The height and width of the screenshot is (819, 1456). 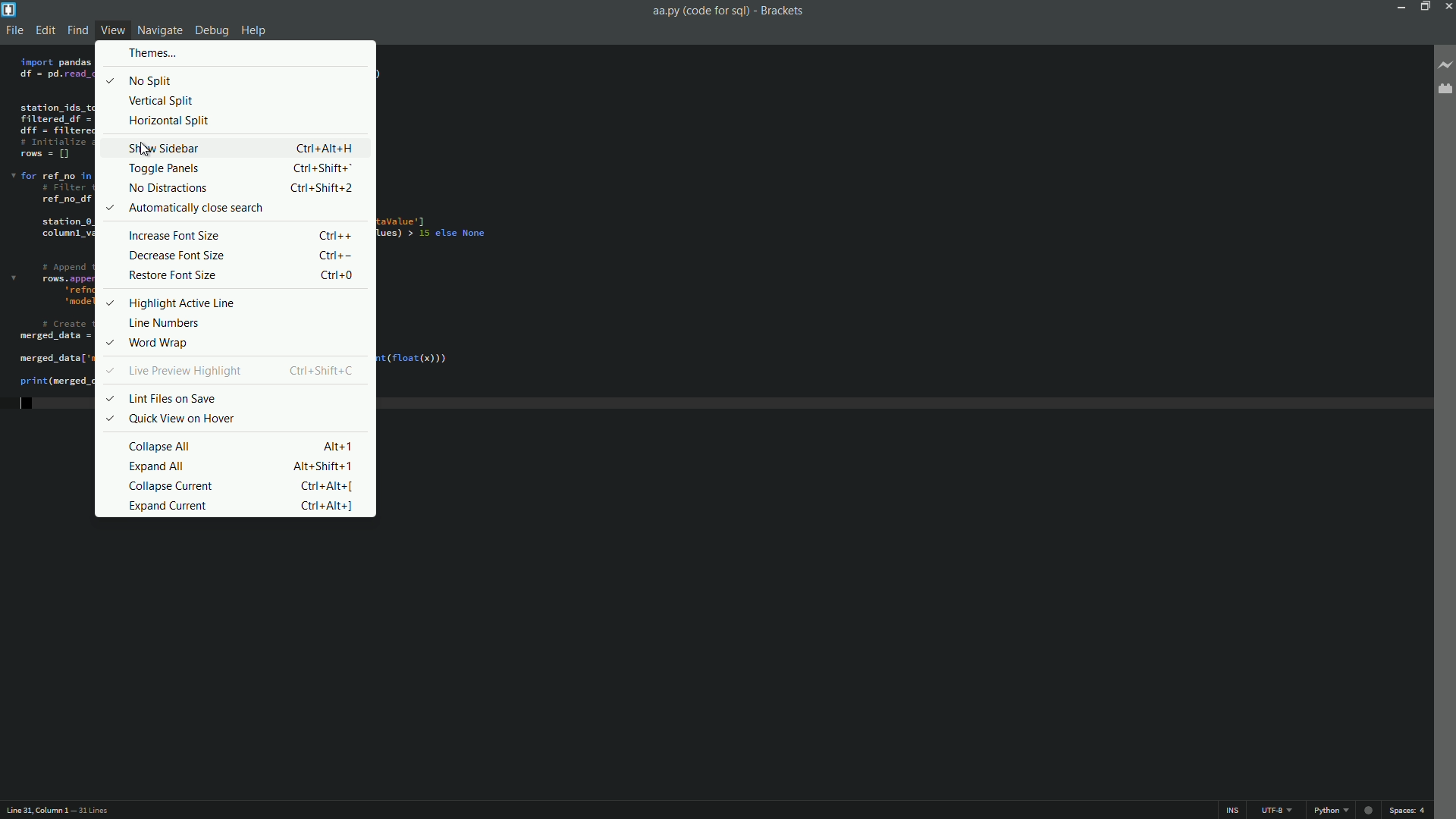 What do you see at coordinates (95, 810) in the screenshot?
I see `number of lines` at bounding box center [95, 810].